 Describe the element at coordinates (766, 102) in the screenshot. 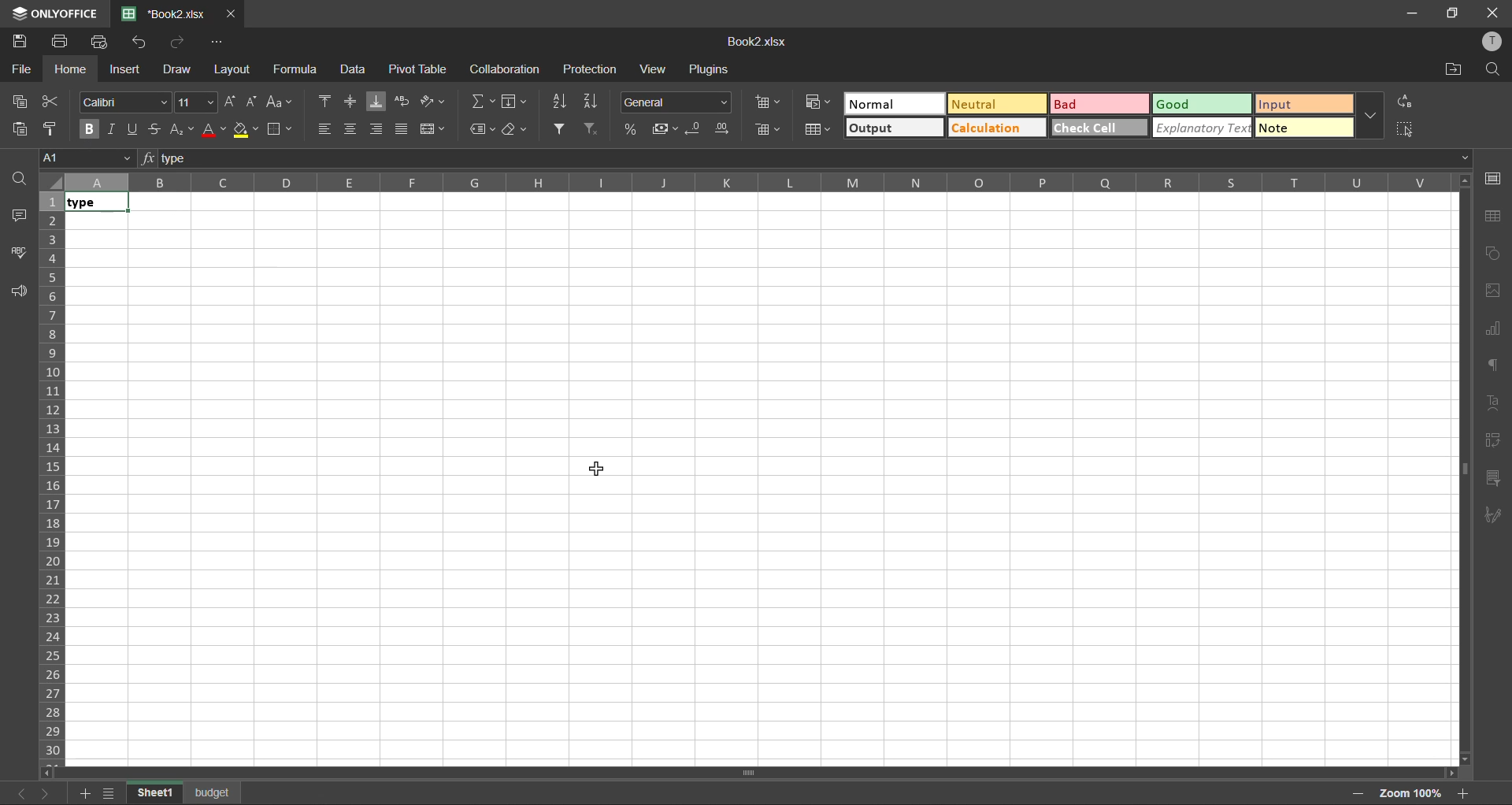

I see `insert cells` at that location.